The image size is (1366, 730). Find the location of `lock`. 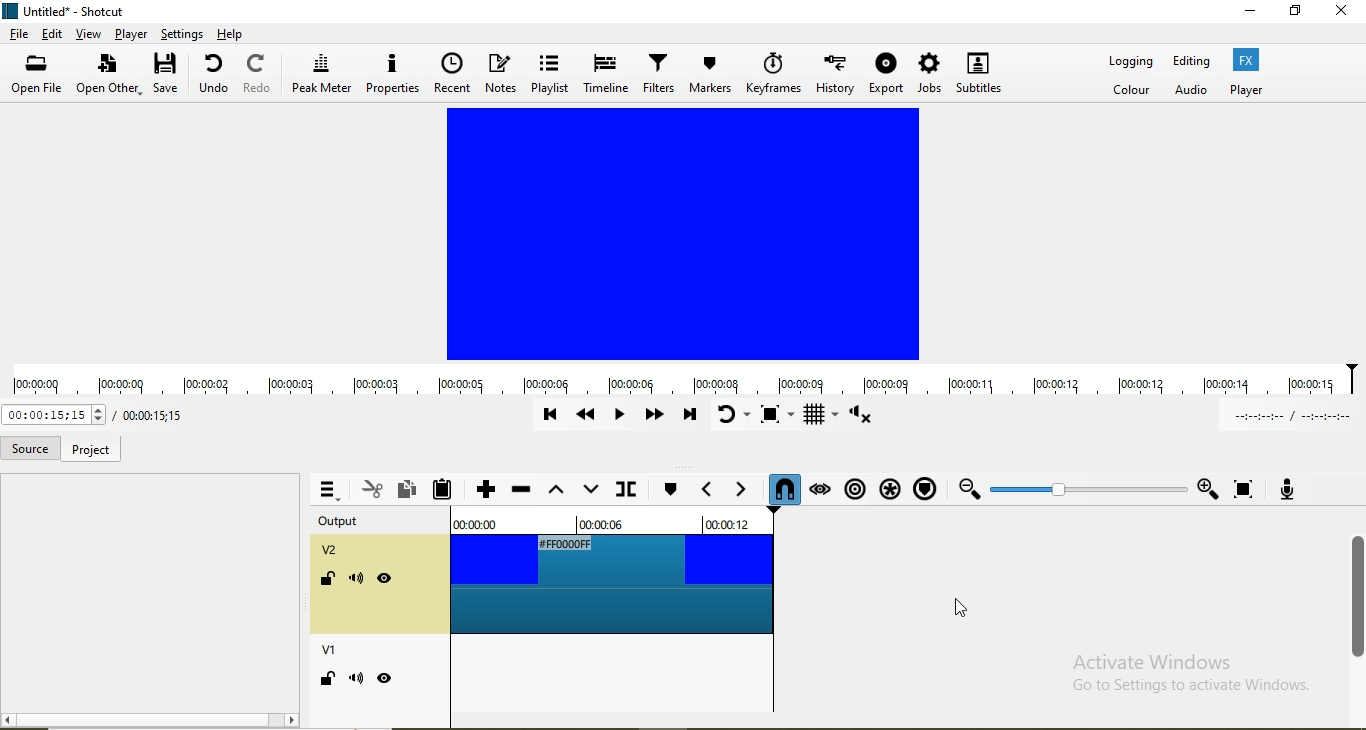

lock is located at coordinates (326, 680).